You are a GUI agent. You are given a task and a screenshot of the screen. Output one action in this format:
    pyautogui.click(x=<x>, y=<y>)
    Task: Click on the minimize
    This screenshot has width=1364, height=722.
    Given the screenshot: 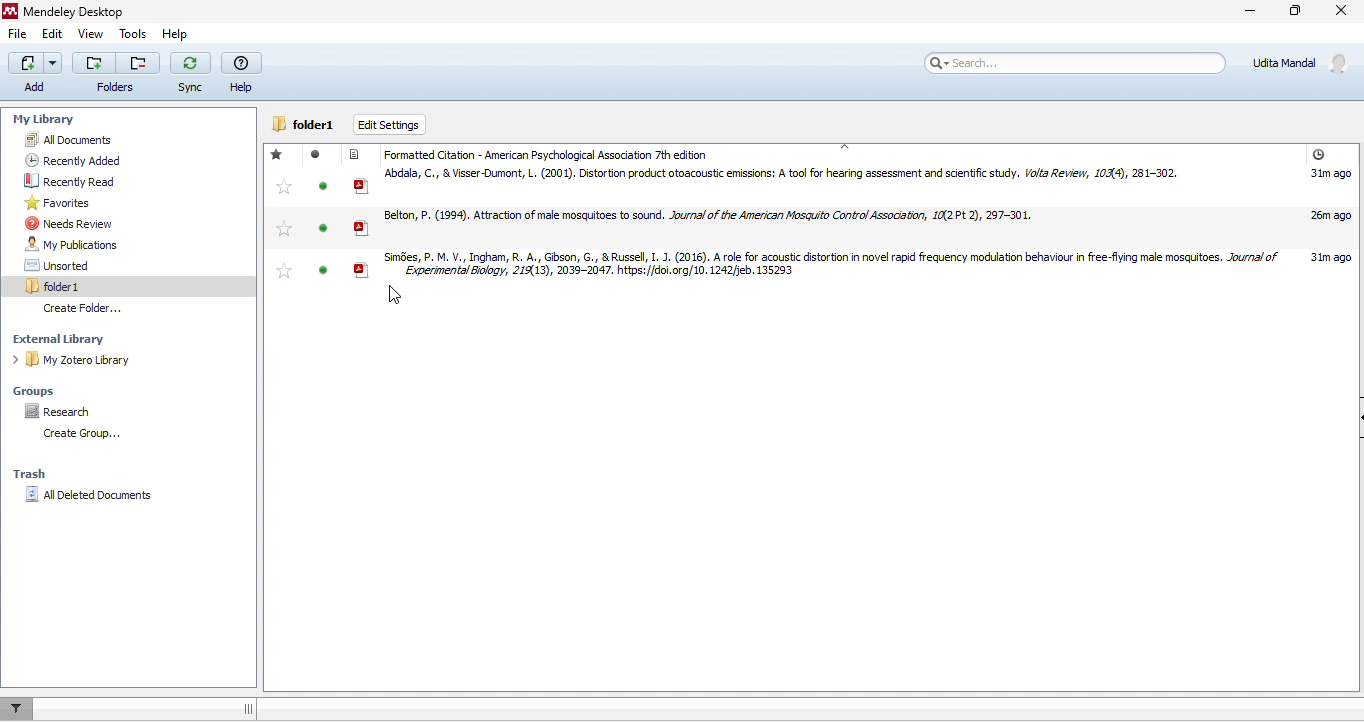 What is the action you would take?
    pyautogui.click(x=1240, y=17)
    